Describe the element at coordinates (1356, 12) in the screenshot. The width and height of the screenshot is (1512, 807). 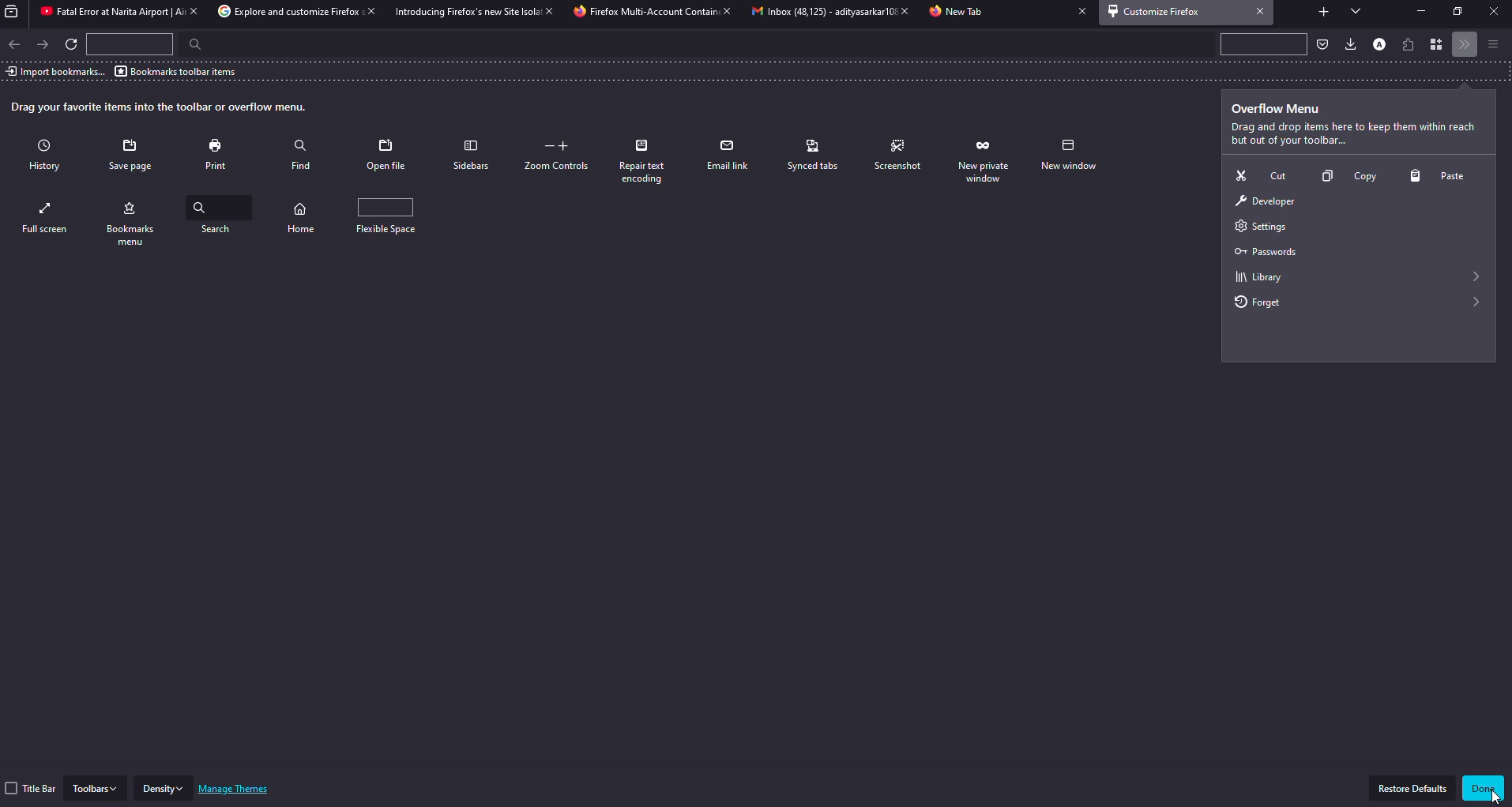
I see `tabs` at that location.